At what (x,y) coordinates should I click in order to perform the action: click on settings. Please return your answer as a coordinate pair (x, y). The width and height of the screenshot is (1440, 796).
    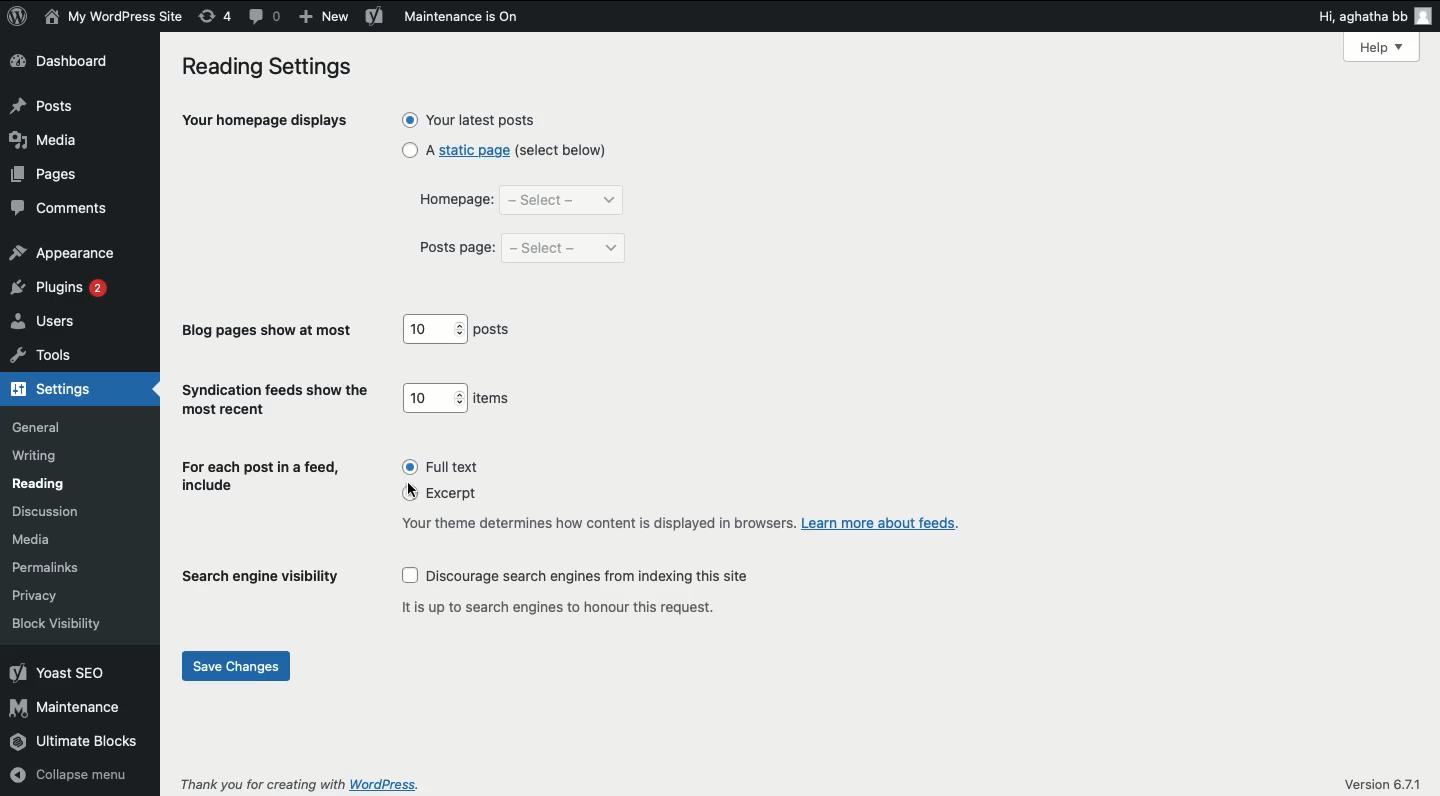
    Looking at the image, I should click on (52, 390).